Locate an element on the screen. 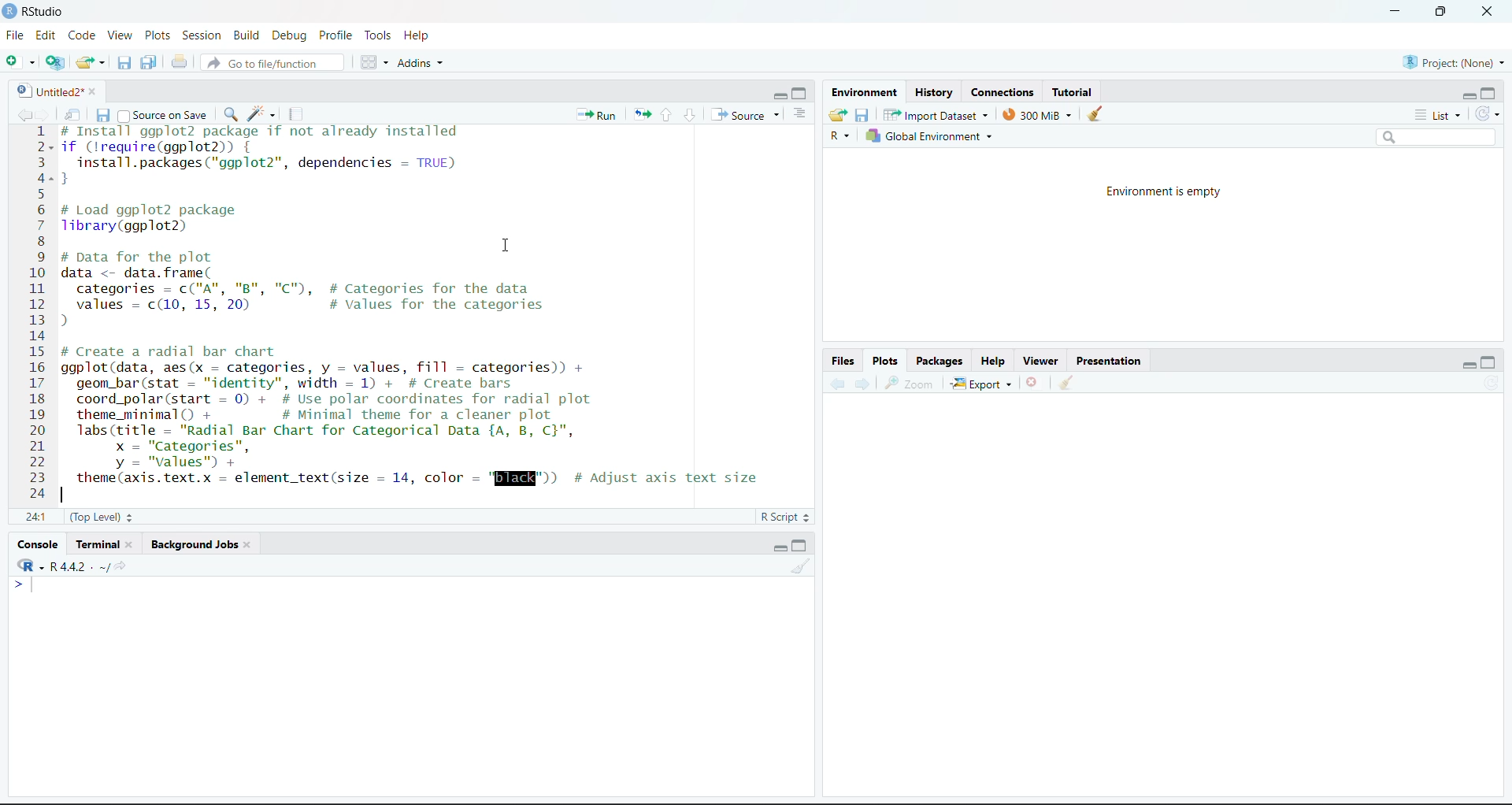  hide console is located at coordinates (1491, 94).